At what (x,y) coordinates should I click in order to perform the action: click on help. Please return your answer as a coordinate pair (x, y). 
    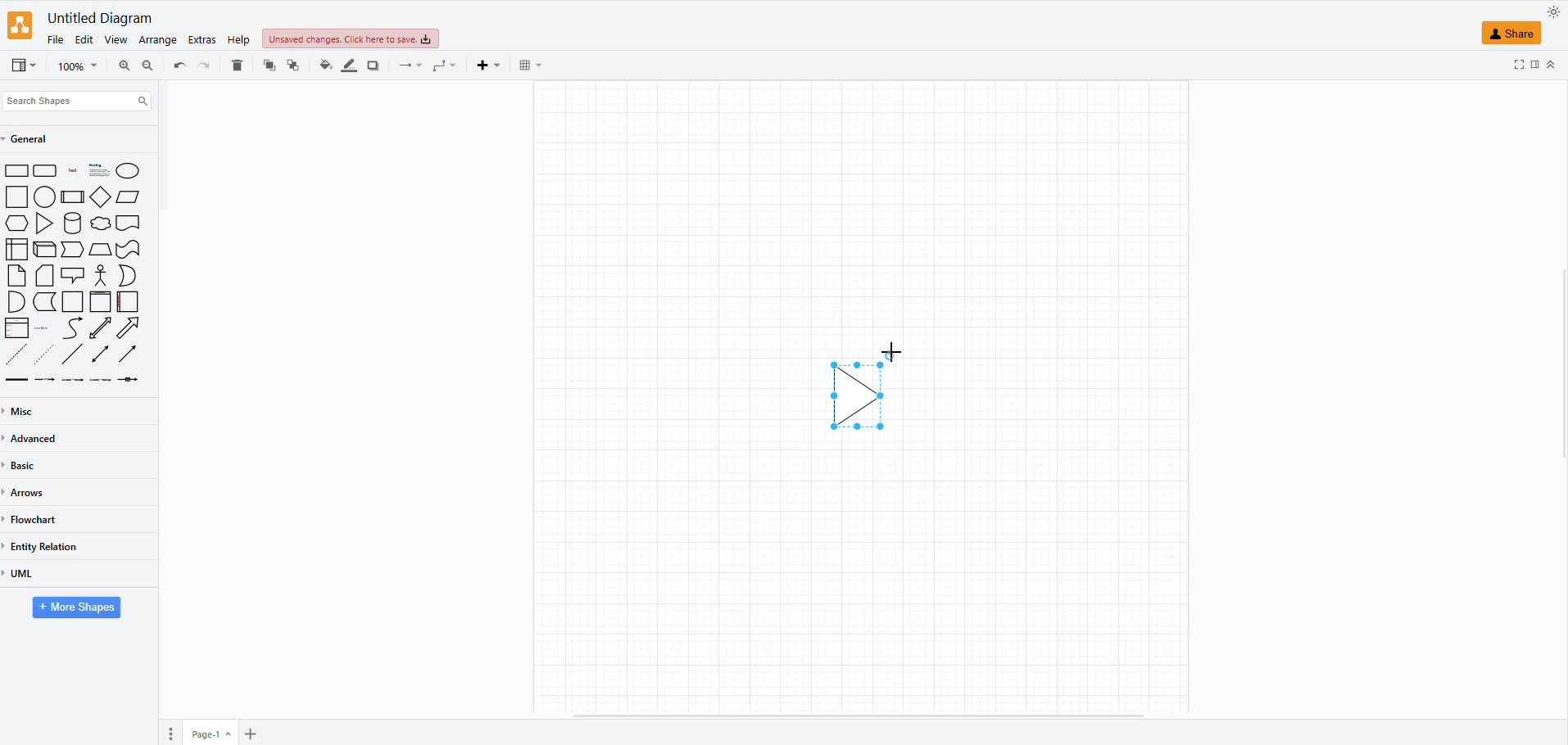
    Looking at the image, I should click on (238, 41).